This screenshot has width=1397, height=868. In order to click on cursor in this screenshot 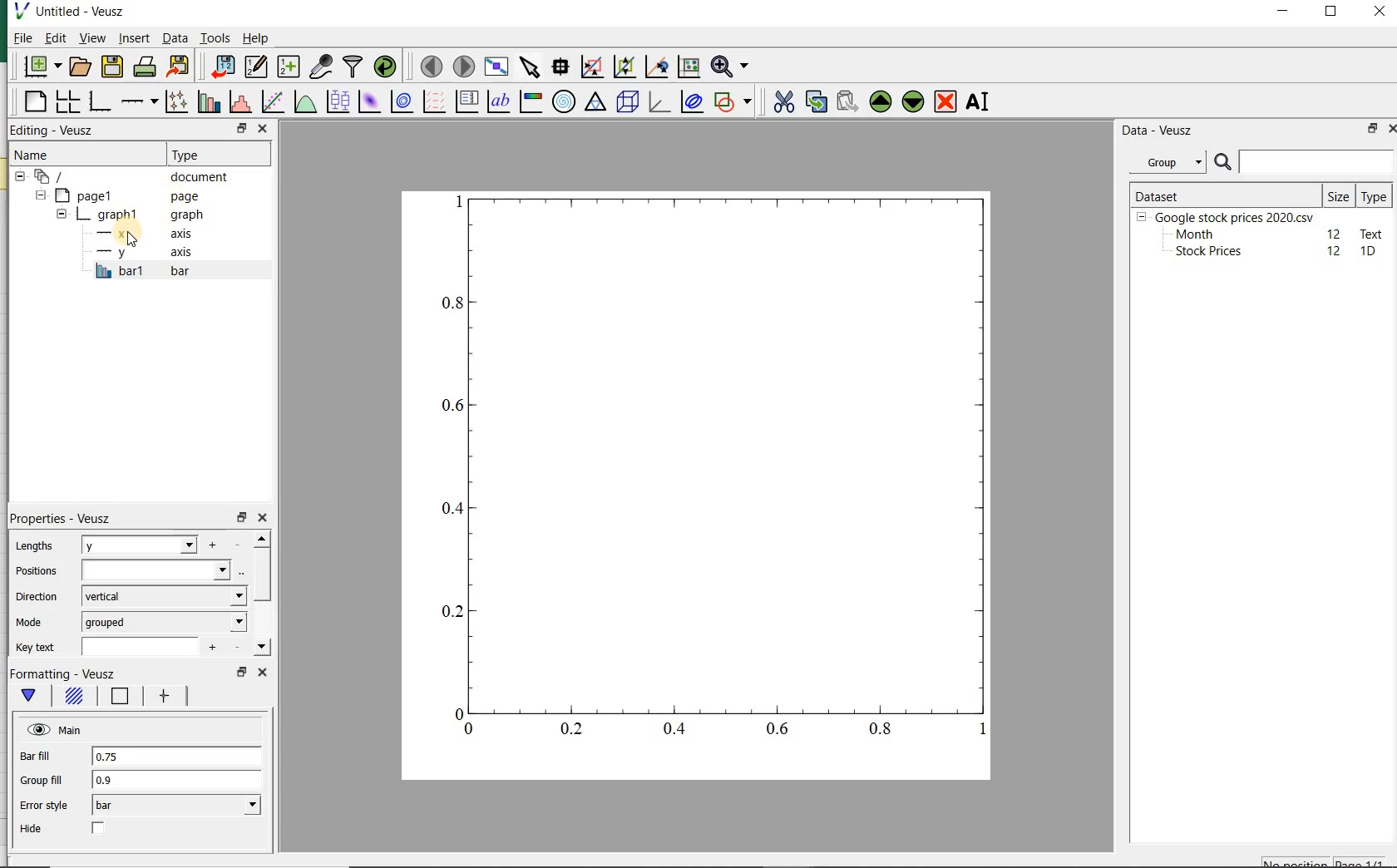, I will do `click(128, 243)`.